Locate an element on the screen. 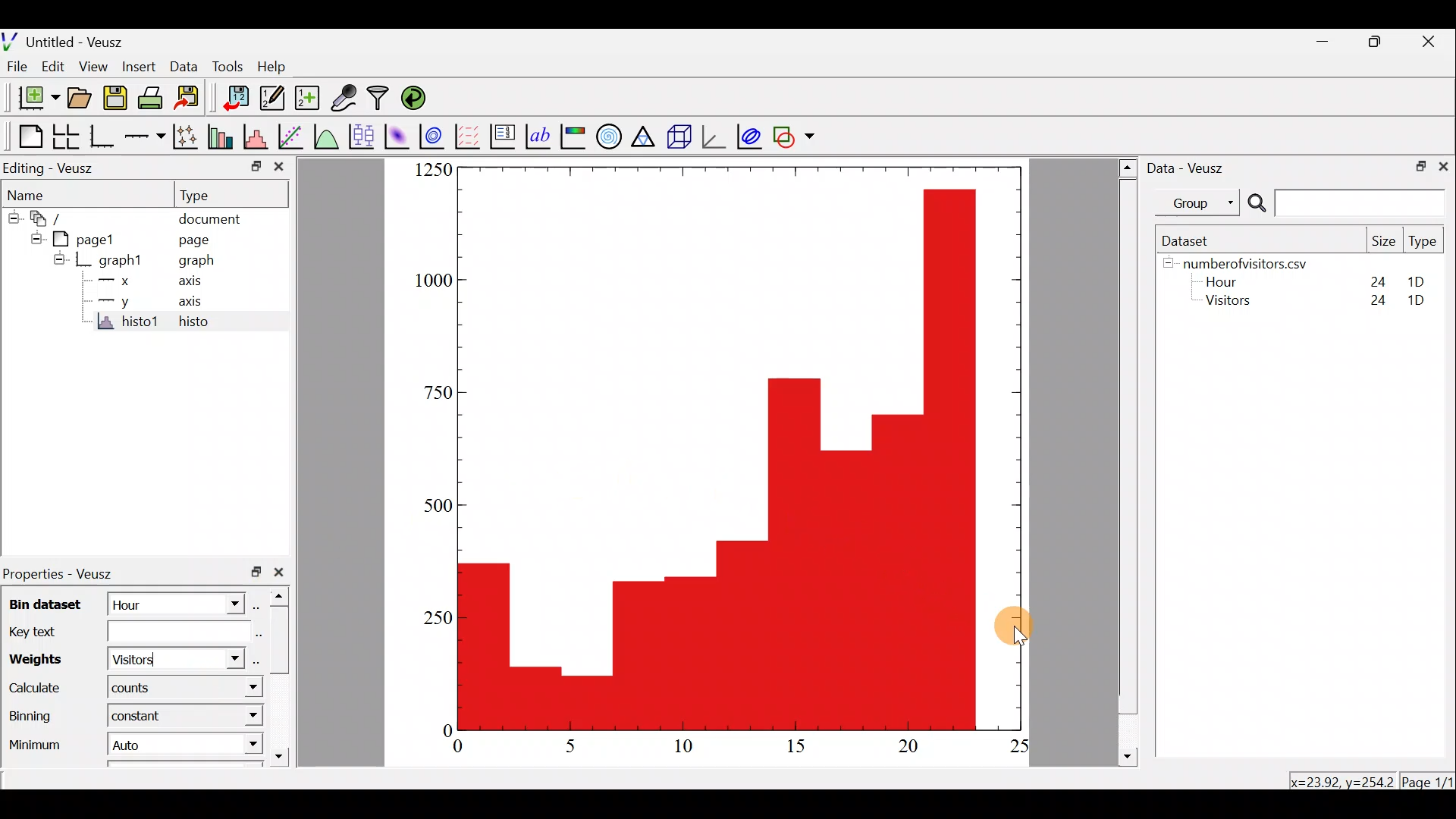  Histogram is located at coordinates (733, 450).